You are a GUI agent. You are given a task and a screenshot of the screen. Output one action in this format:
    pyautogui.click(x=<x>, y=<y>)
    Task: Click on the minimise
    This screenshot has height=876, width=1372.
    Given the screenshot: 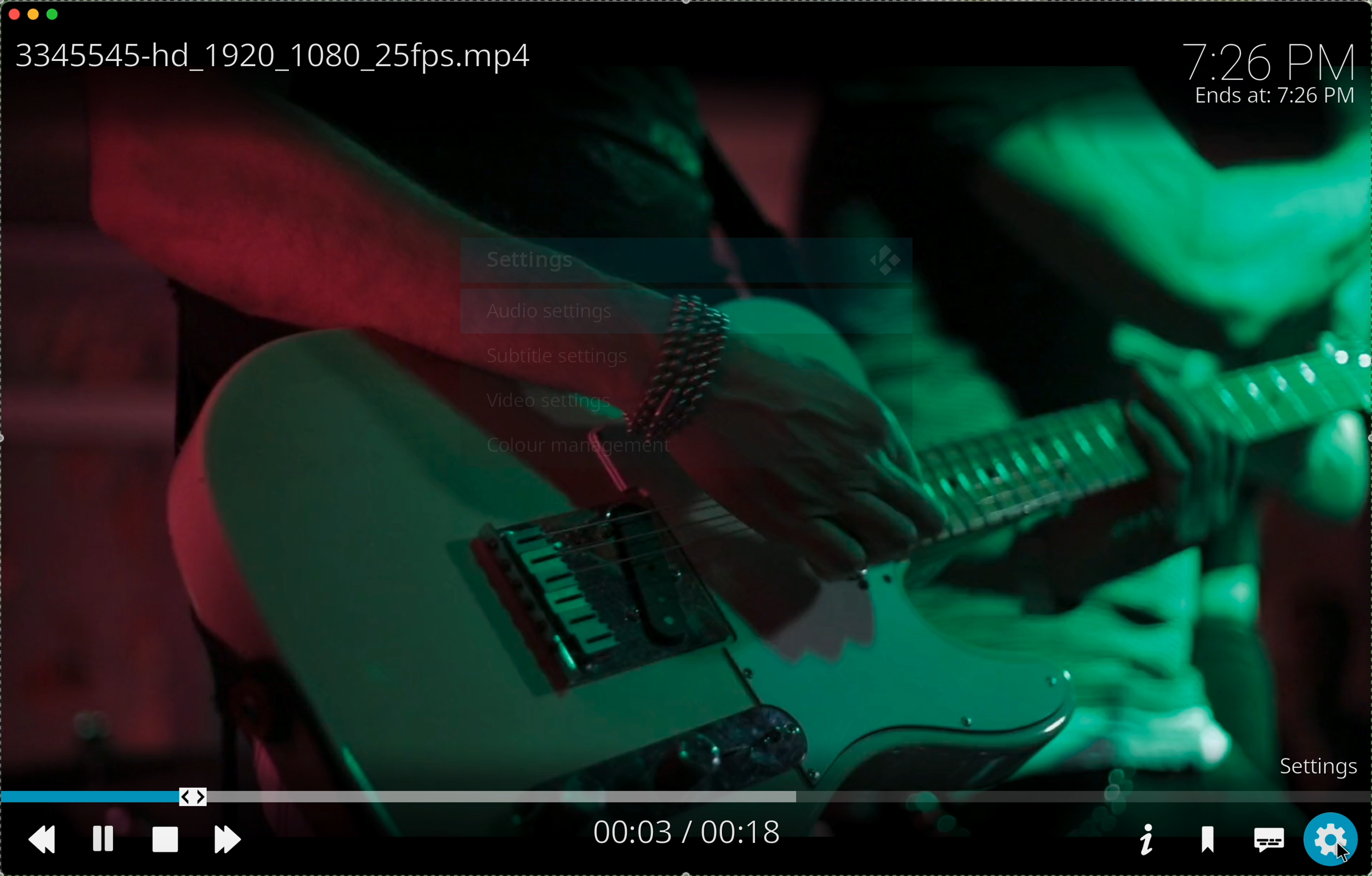 What is the action you would take?
    pyautogui.click(x=33, y=13)
    